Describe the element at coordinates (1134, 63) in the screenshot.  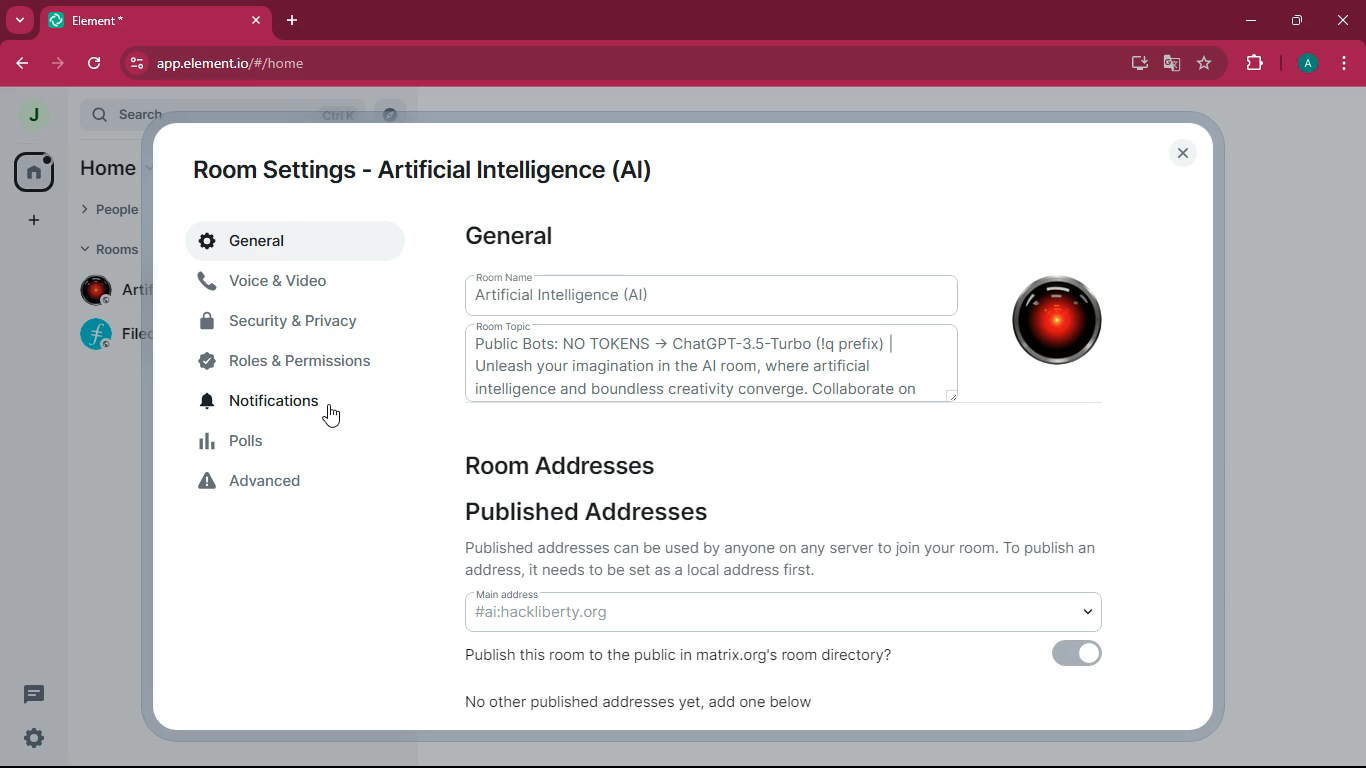
I see `desktop` at that location.